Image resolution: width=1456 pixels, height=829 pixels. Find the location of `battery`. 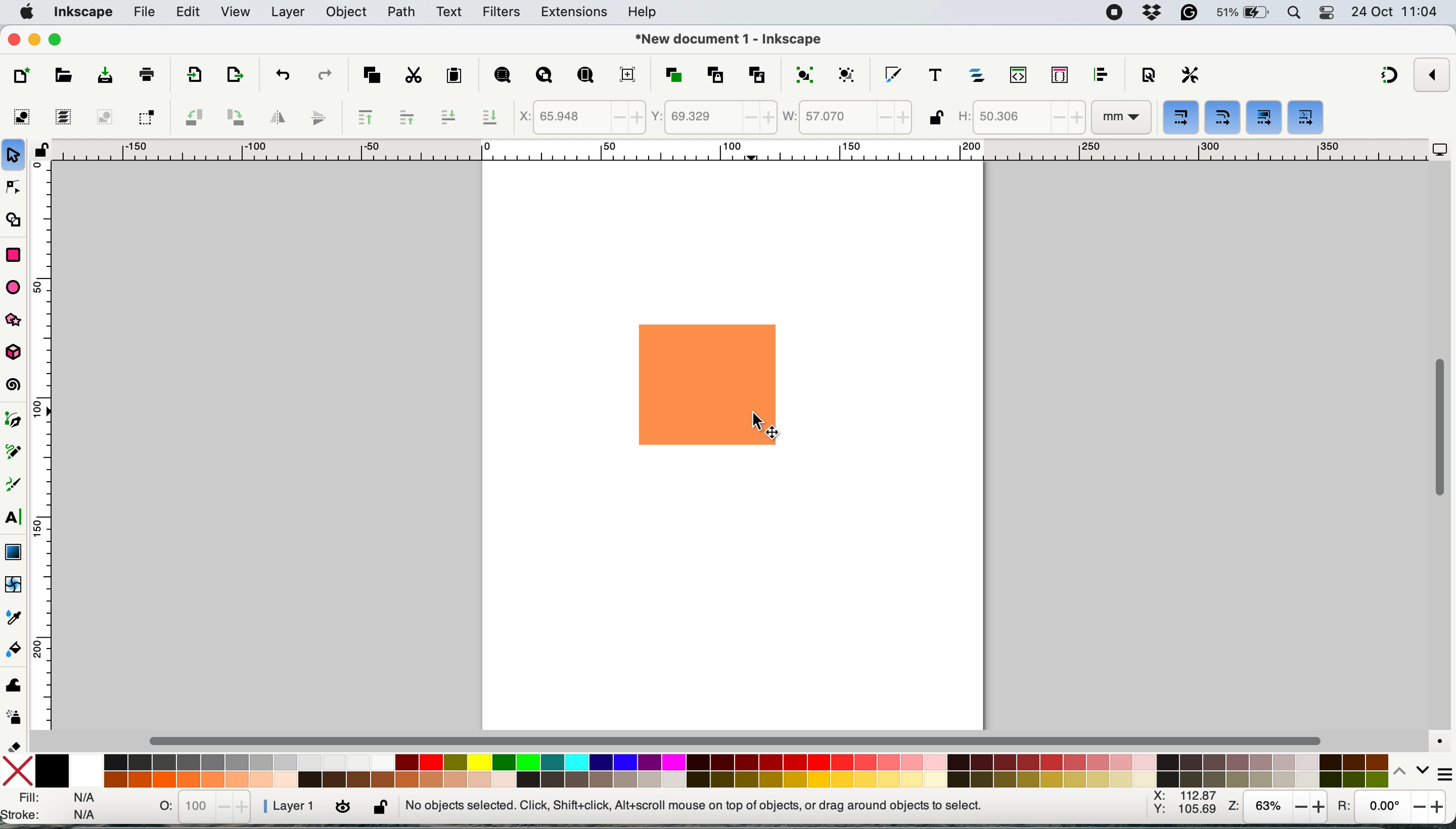

battery is located at coordinates (1244, 13).